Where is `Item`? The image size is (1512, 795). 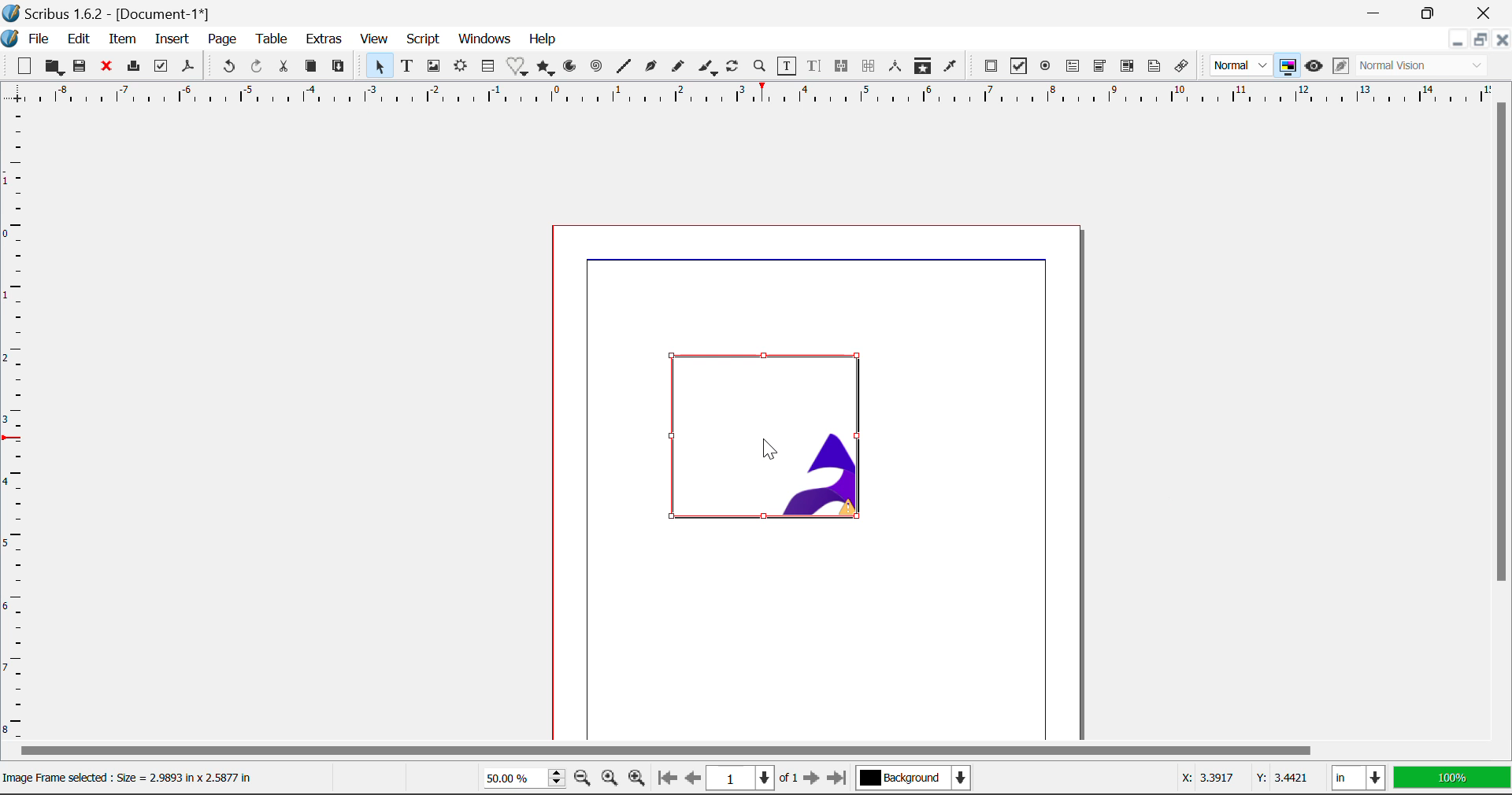
Item is located at coordinates (122, 39).